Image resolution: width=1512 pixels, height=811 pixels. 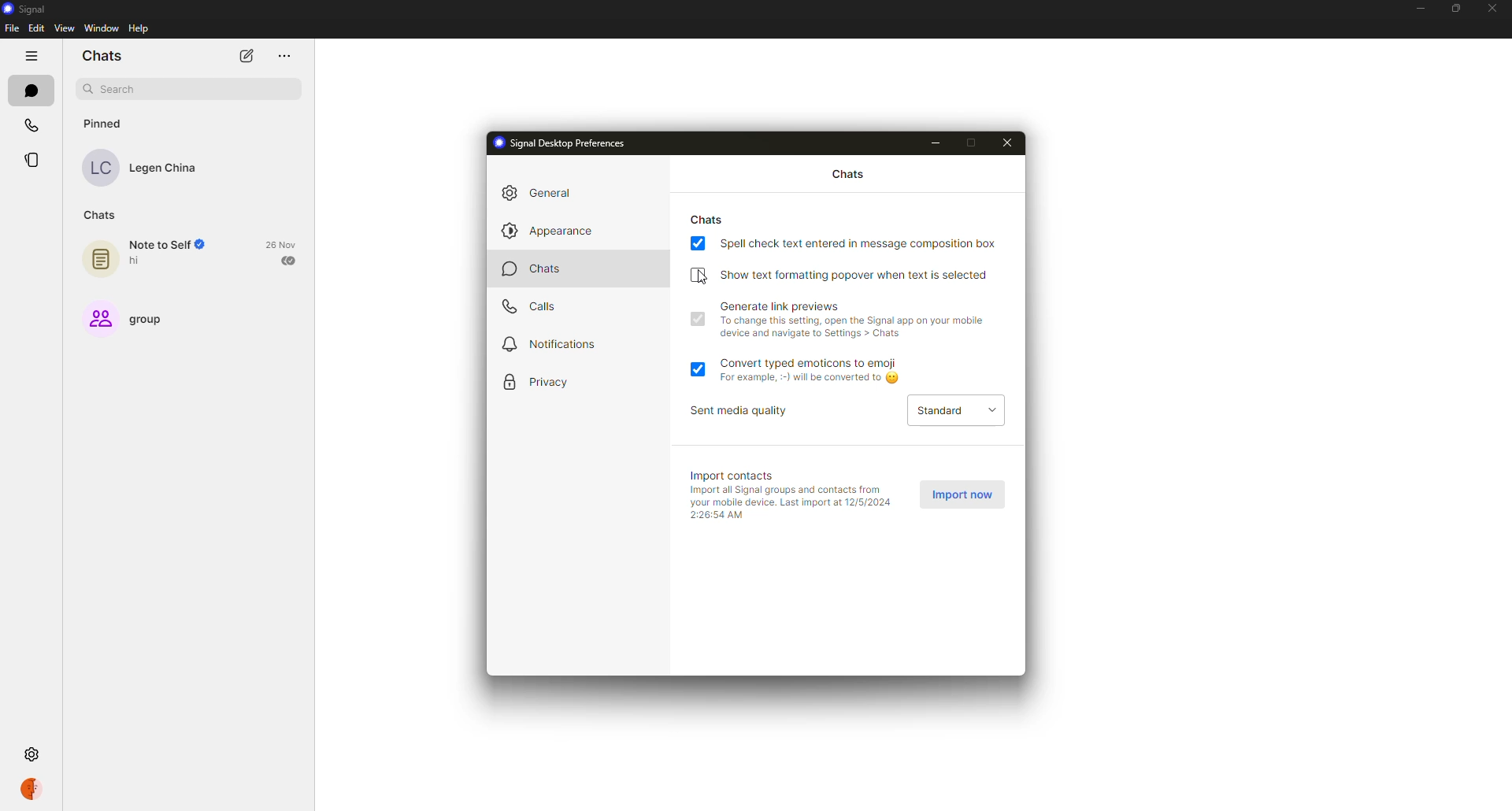 I want to click on minimize, so click(x=940, y=143).